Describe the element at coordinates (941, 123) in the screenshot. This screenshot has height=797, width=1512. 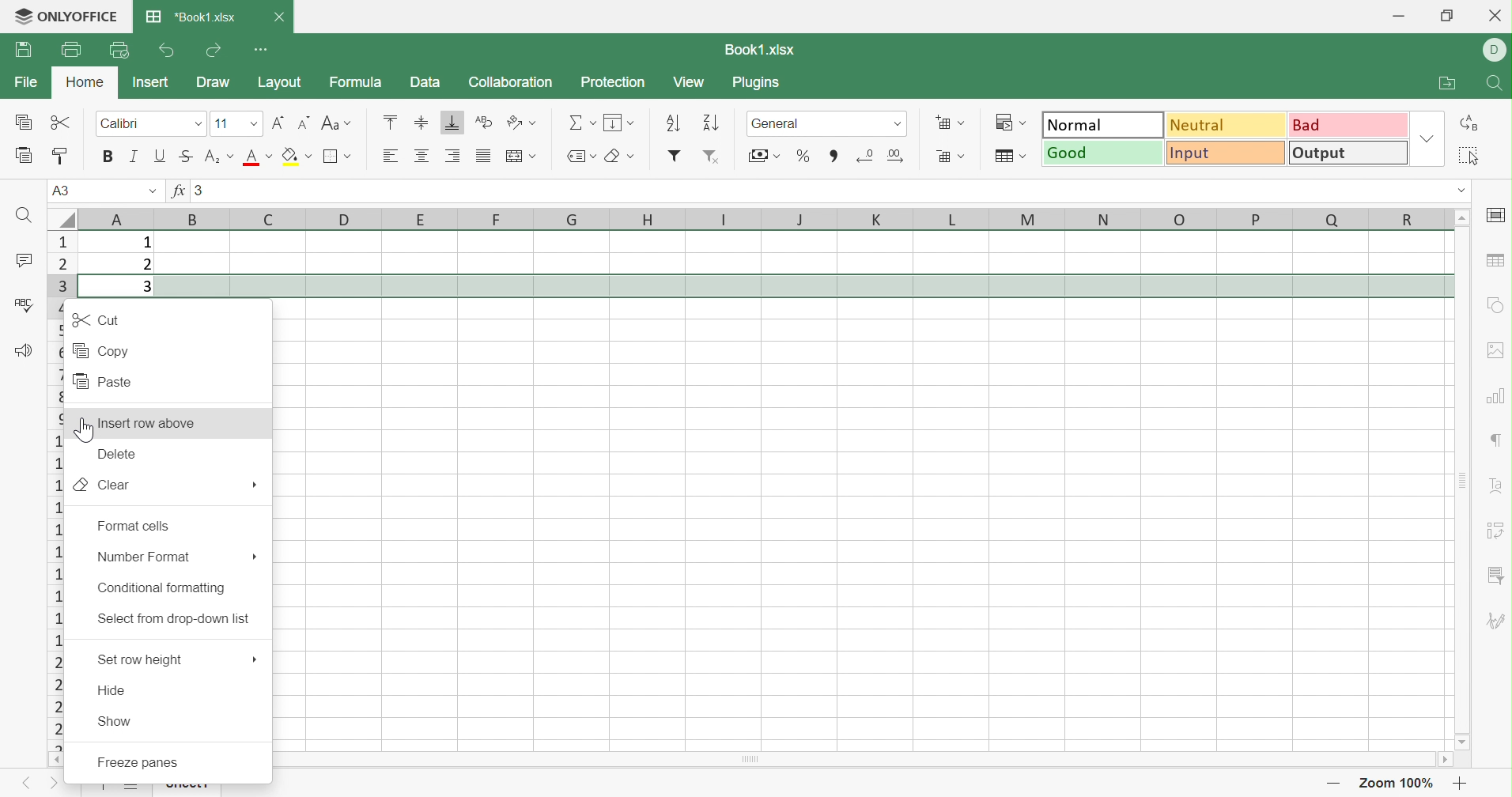
I see `Insert cells` at that location.